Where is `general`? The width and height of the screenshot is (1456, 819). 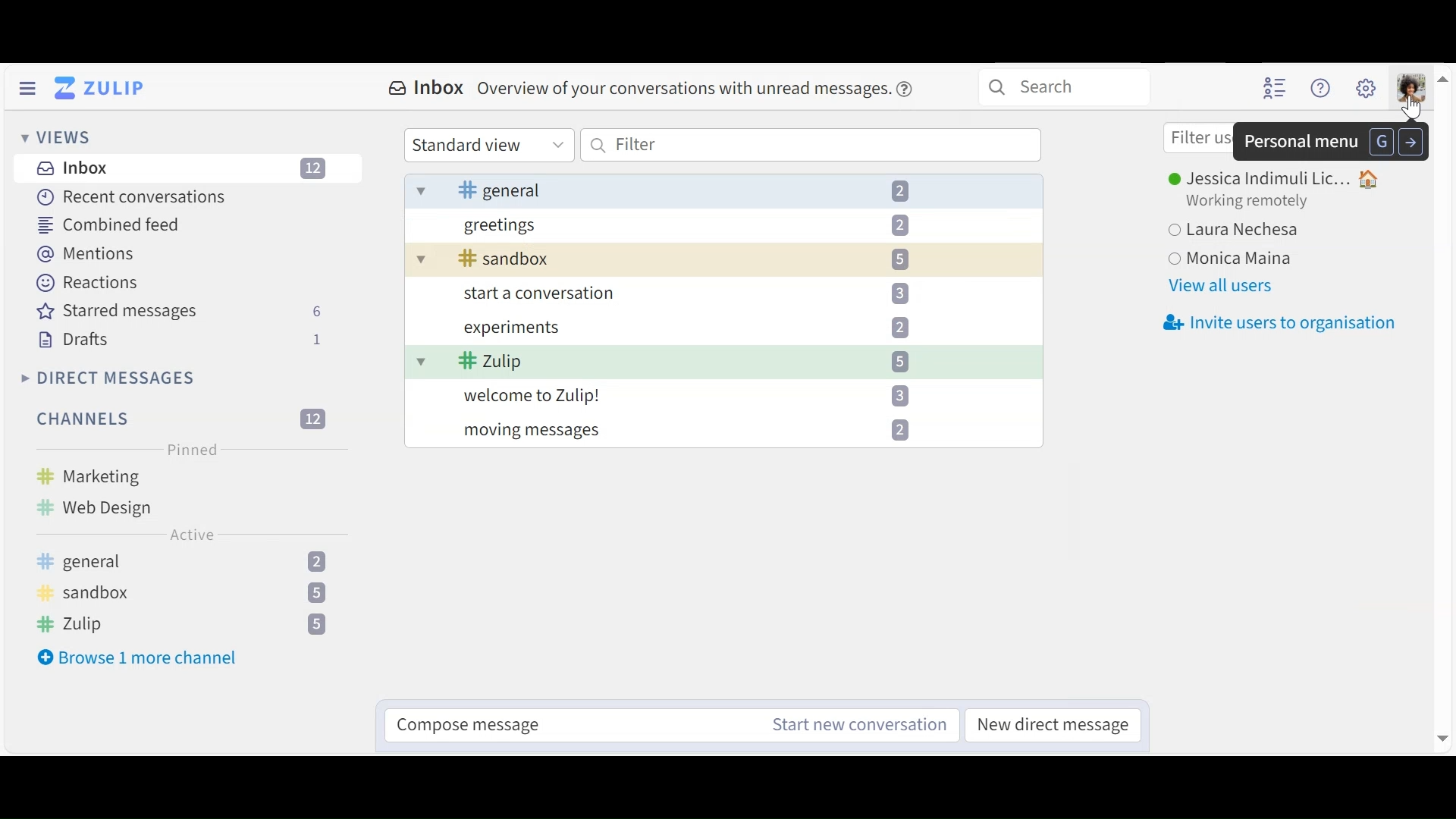 general is located at coordinates (180, 560).